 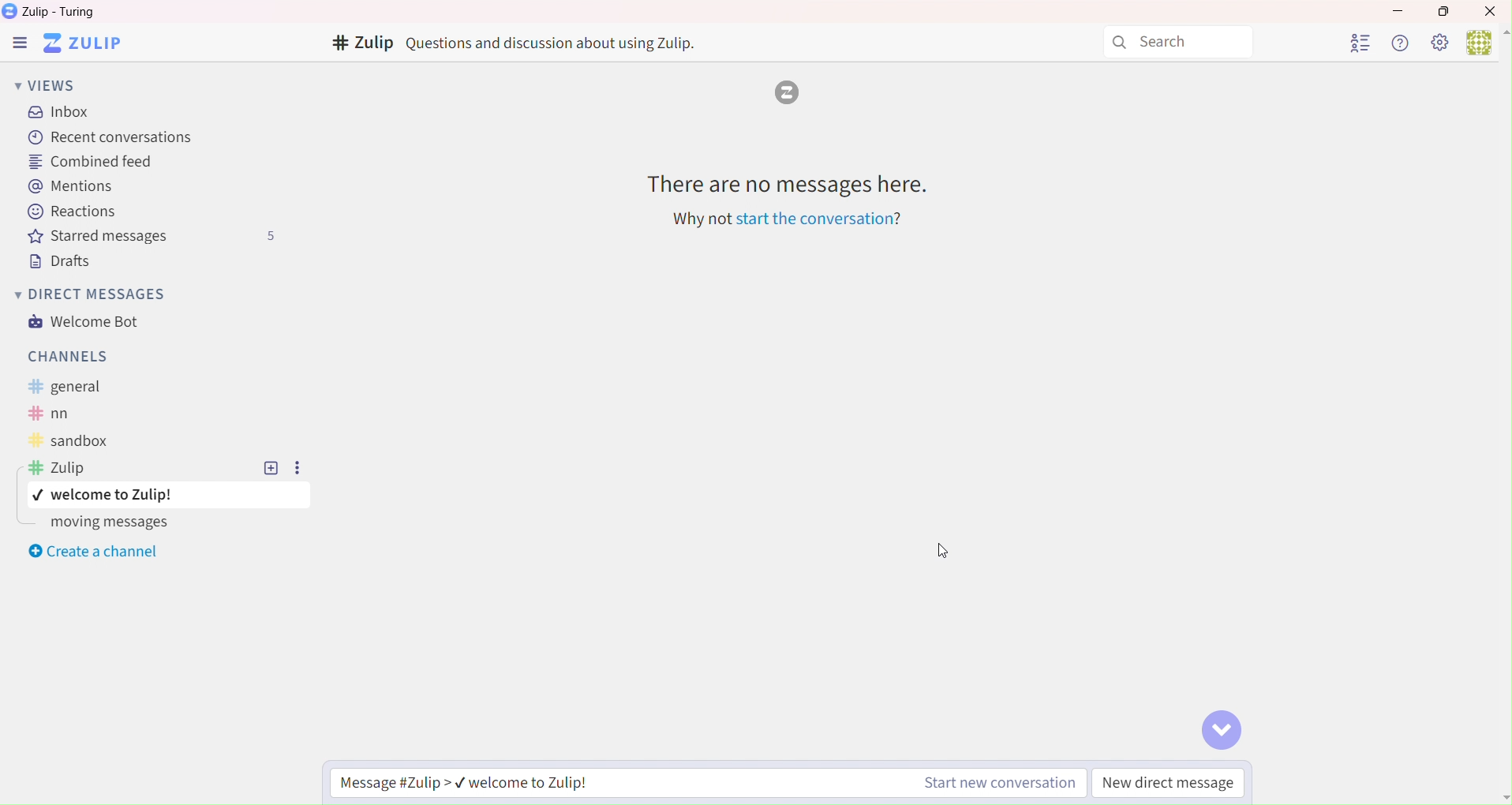 I want to click on Minimize, so click(x=1397, y=13).